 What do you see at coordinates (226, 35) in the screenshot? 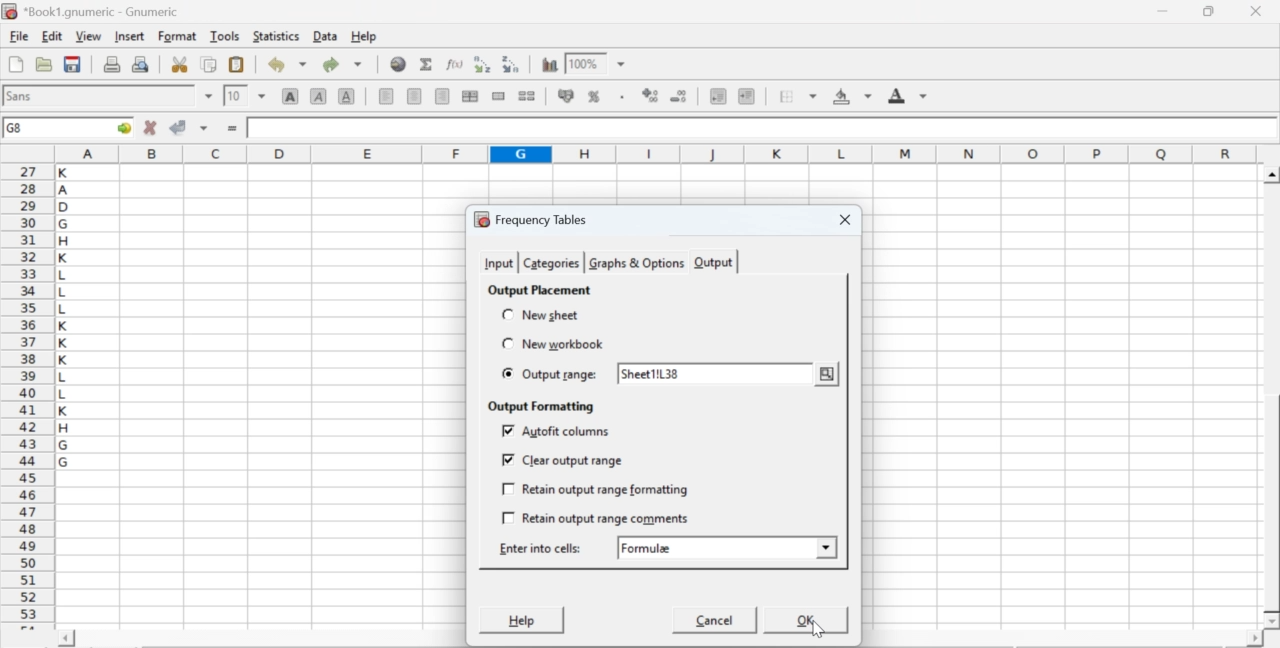
I see `tools` at bounding box center [226, 35].